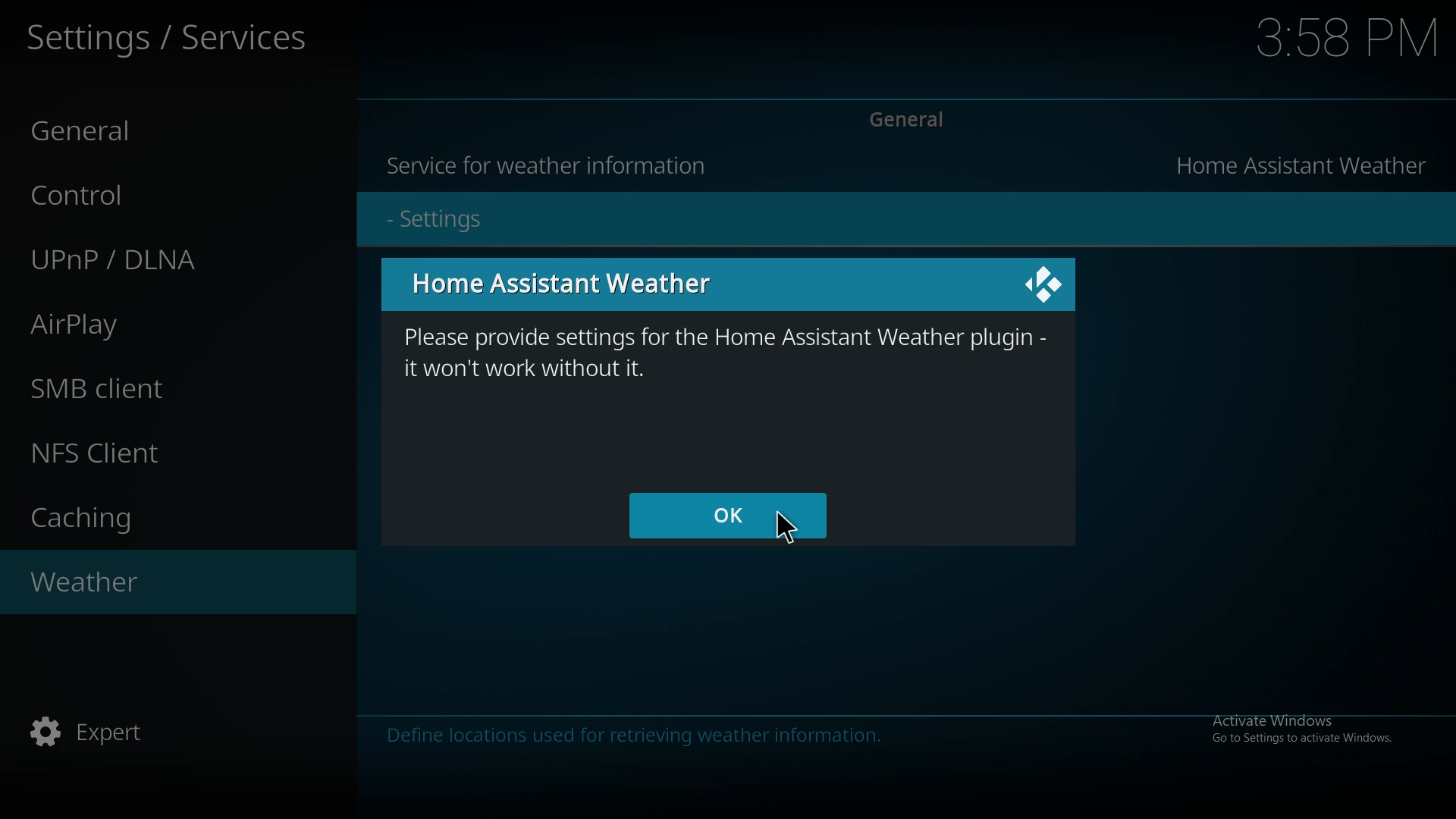 This screenshot has height=819, width=1456. I want to click on Home Assistant Weather, so click(569, 284).